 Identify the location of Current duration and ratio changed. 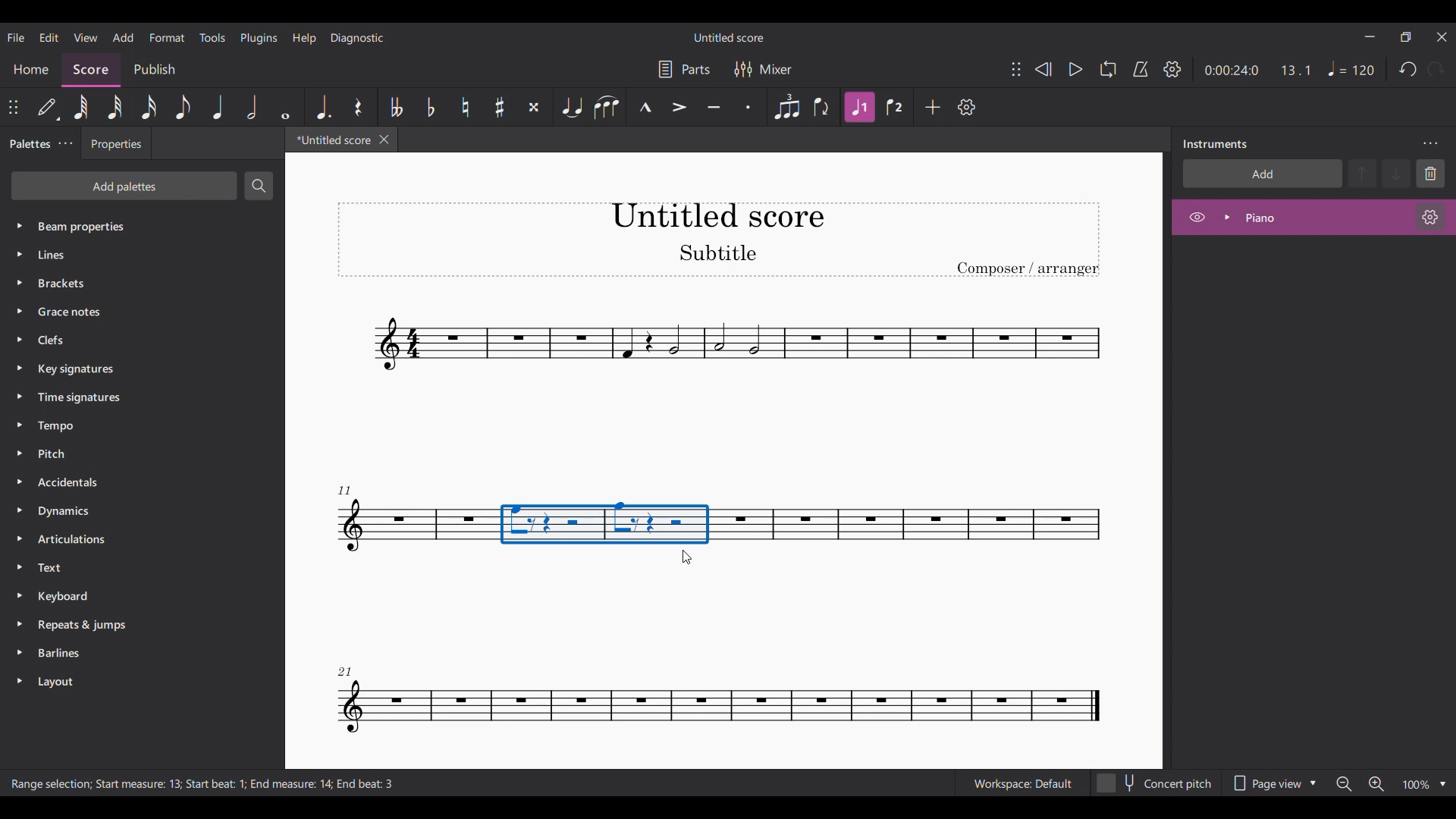
(1257, 70).